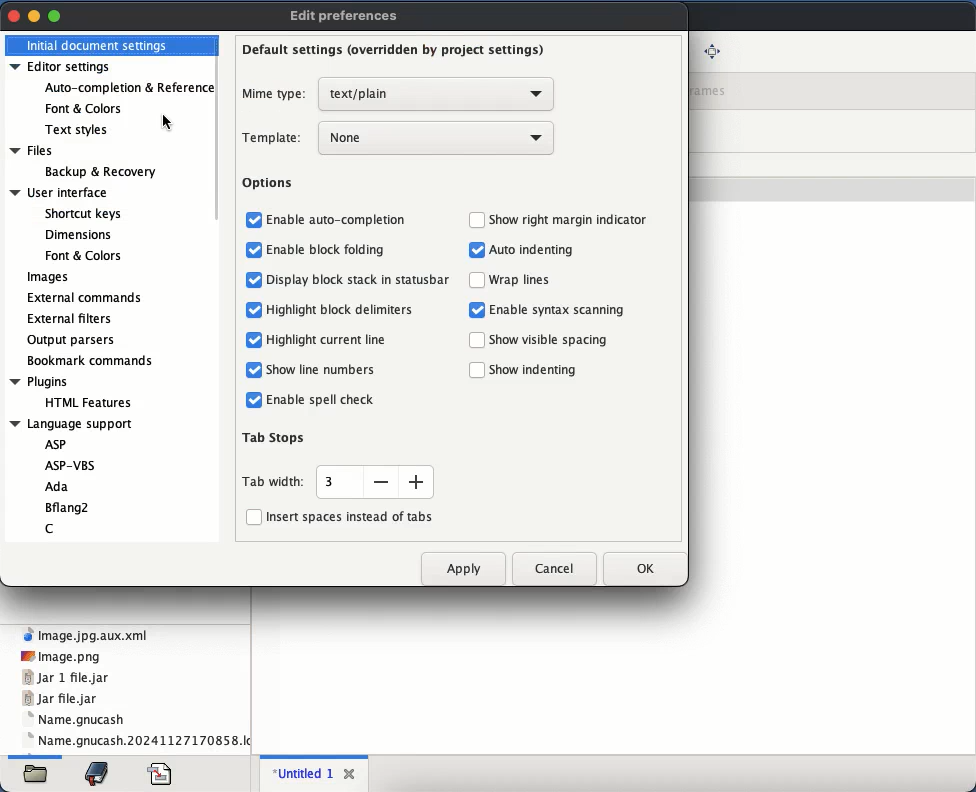 Image resolution: width=976 pixels, height=792 pixels. Describe the element at coordinates (72, 464) in the screenshot. I see `ASP-VBS` at that location.